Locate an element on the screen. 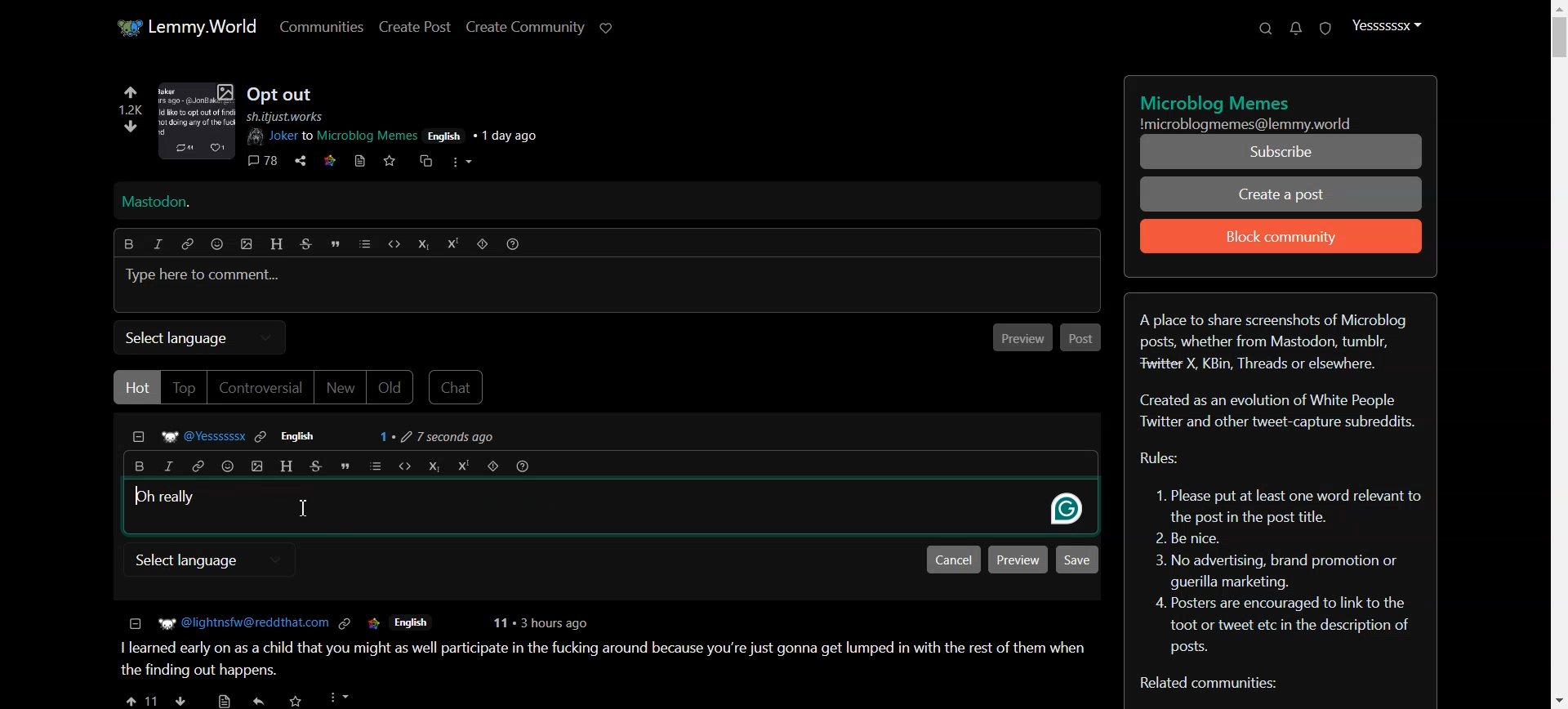  Text is located at coordinates (167, 497).